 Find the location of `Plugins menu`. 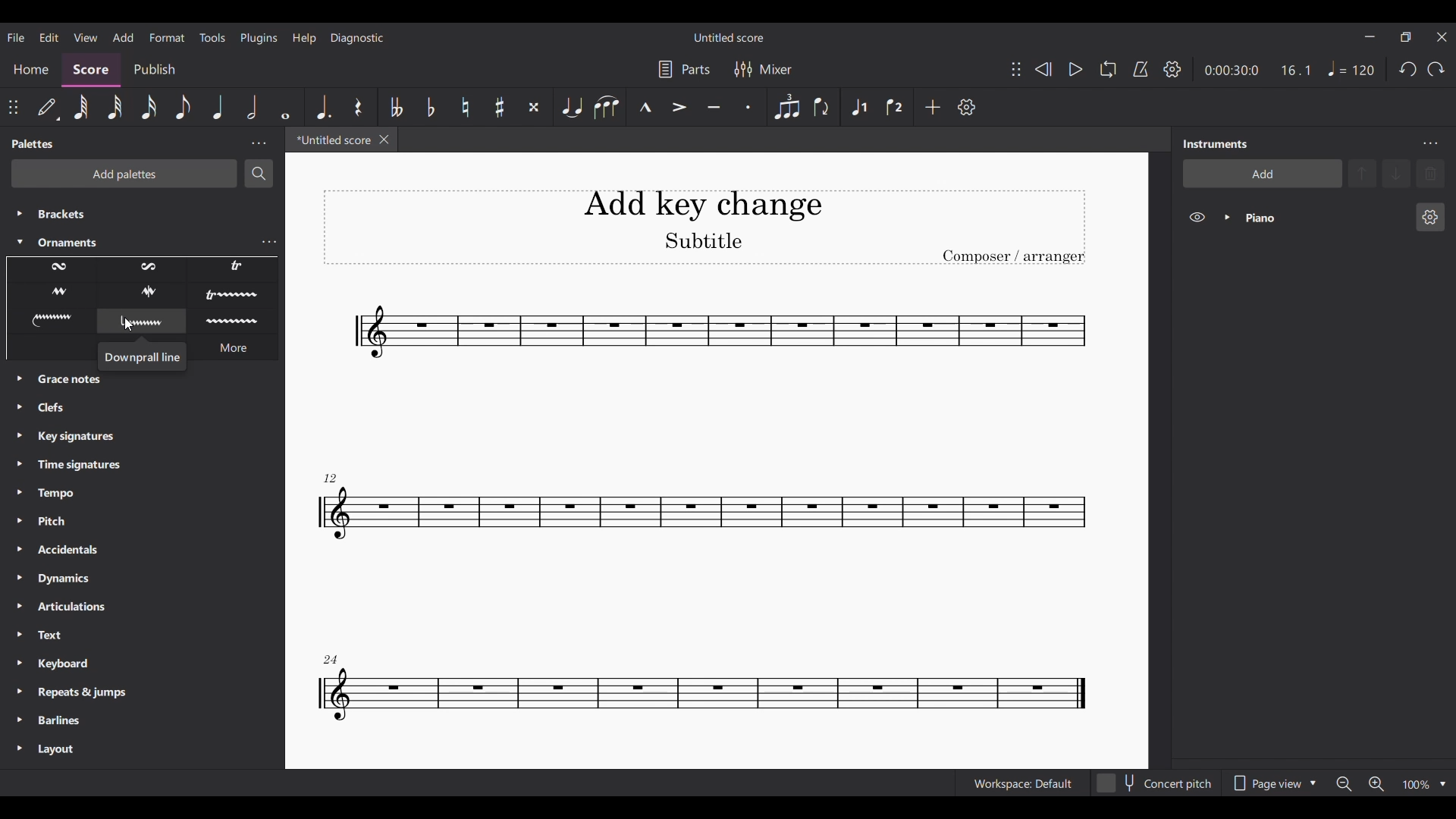

Plugins menu is located at coordinates (259, 37).